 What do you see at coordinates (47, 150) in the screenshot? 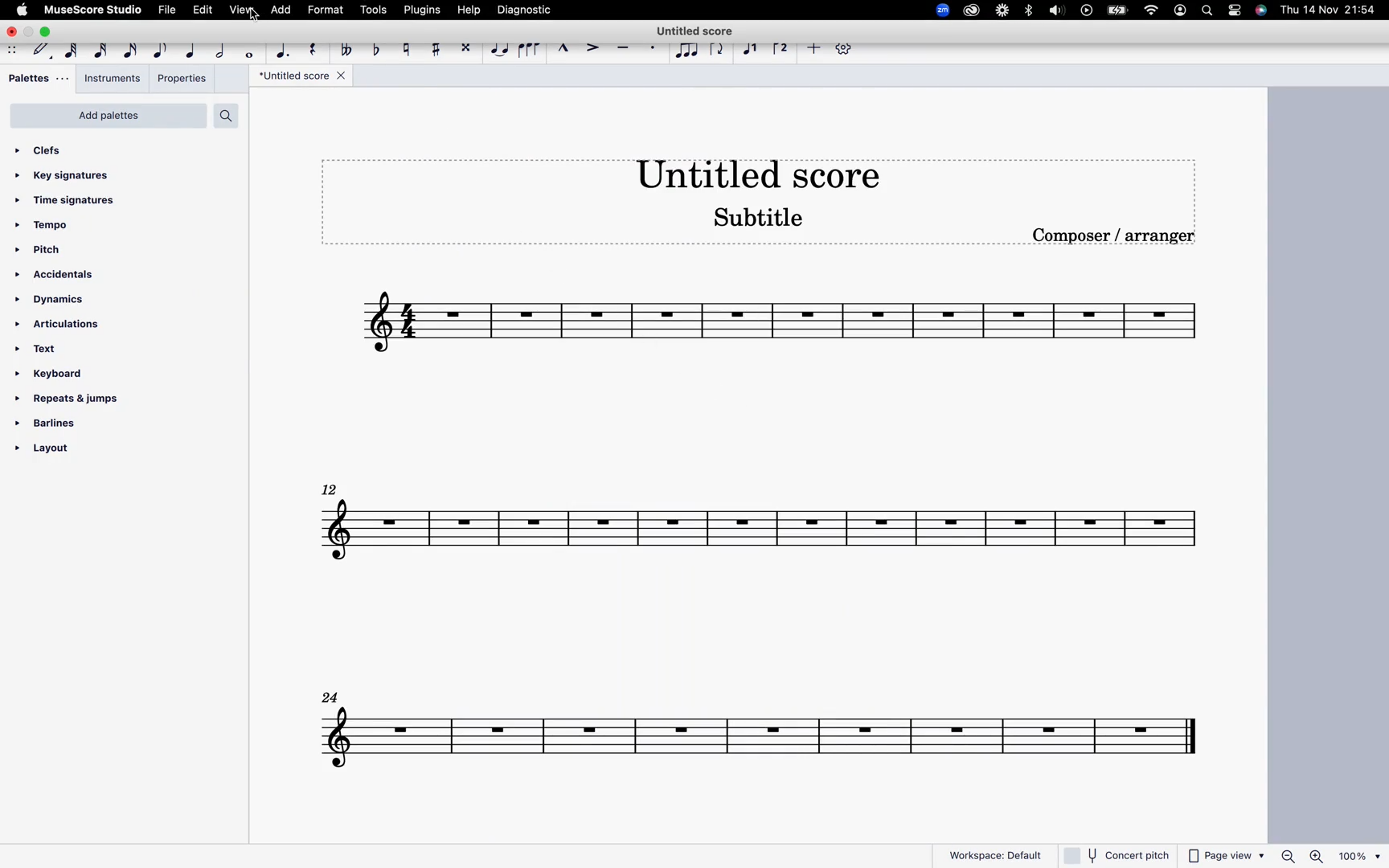
I see `clefs` at bounding box center [47, 150].